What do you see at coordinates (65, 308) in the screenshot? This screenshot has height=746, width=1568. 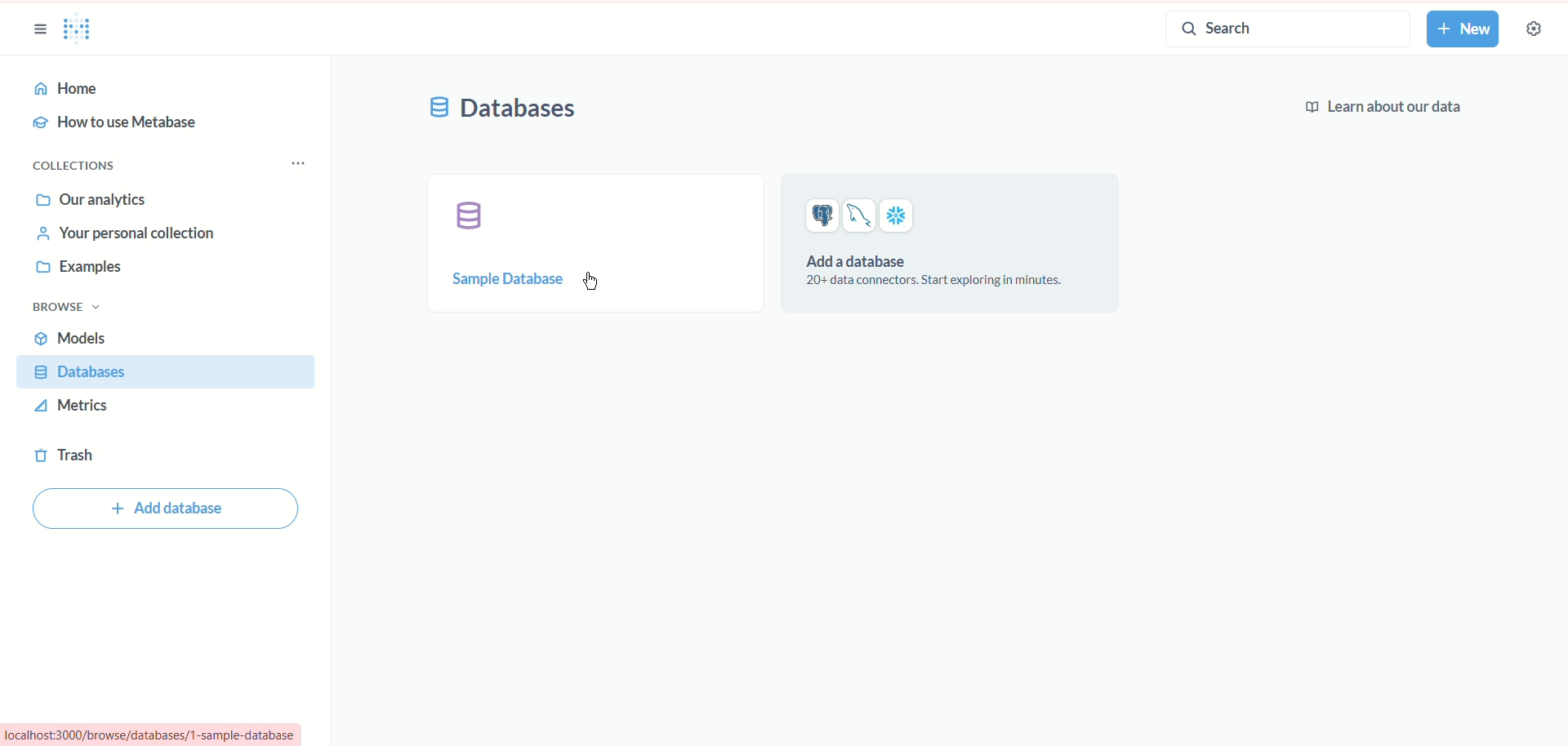 I see `browse` at bounding box center [65, 308].